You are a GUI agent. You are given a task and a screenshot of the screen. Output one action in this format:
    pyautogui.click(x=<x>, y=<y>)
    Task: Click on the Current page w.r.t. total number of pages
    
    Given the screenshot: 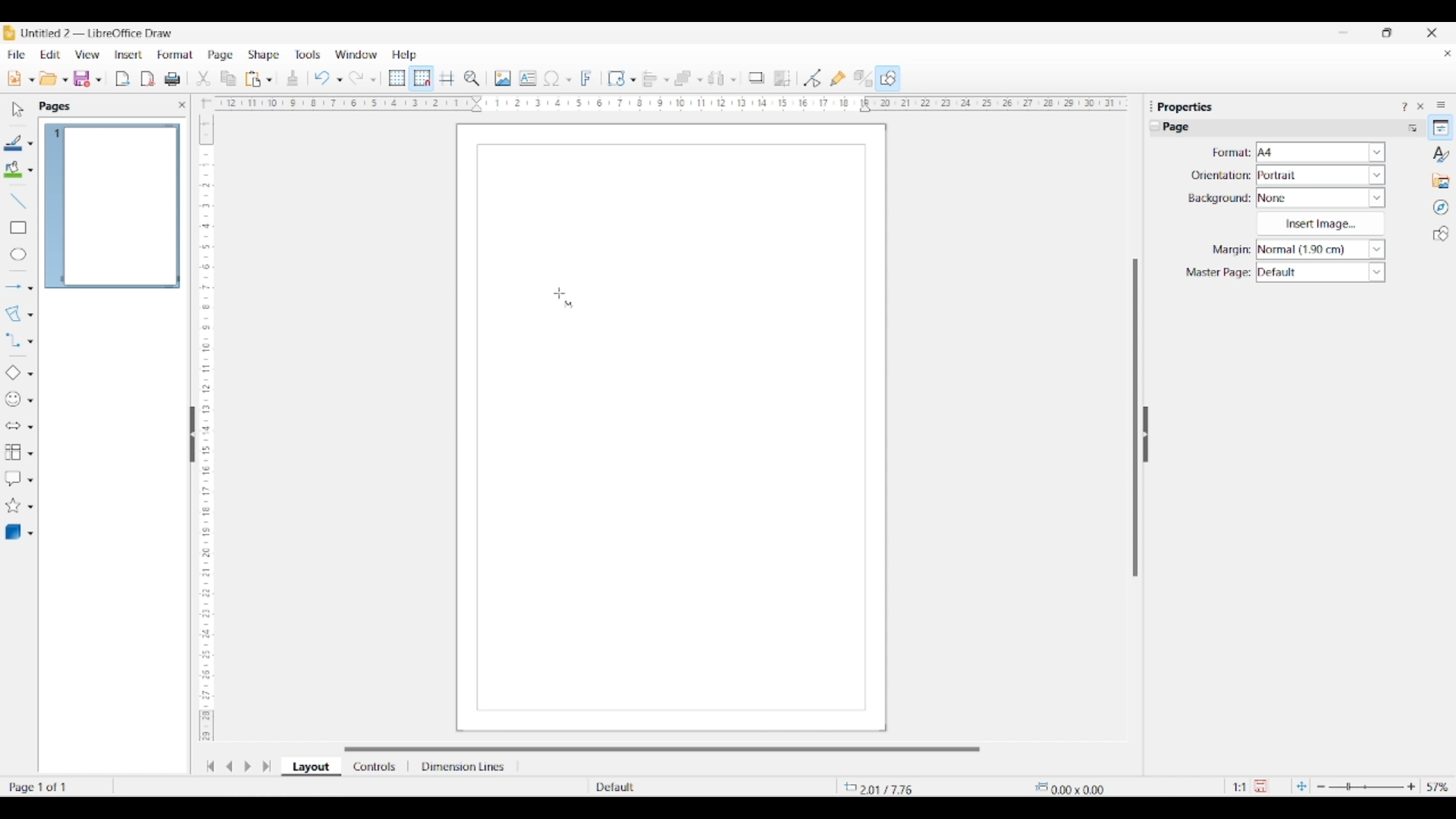 What is the action you would take?
    pyautogui.click(x=56, y=786)
    